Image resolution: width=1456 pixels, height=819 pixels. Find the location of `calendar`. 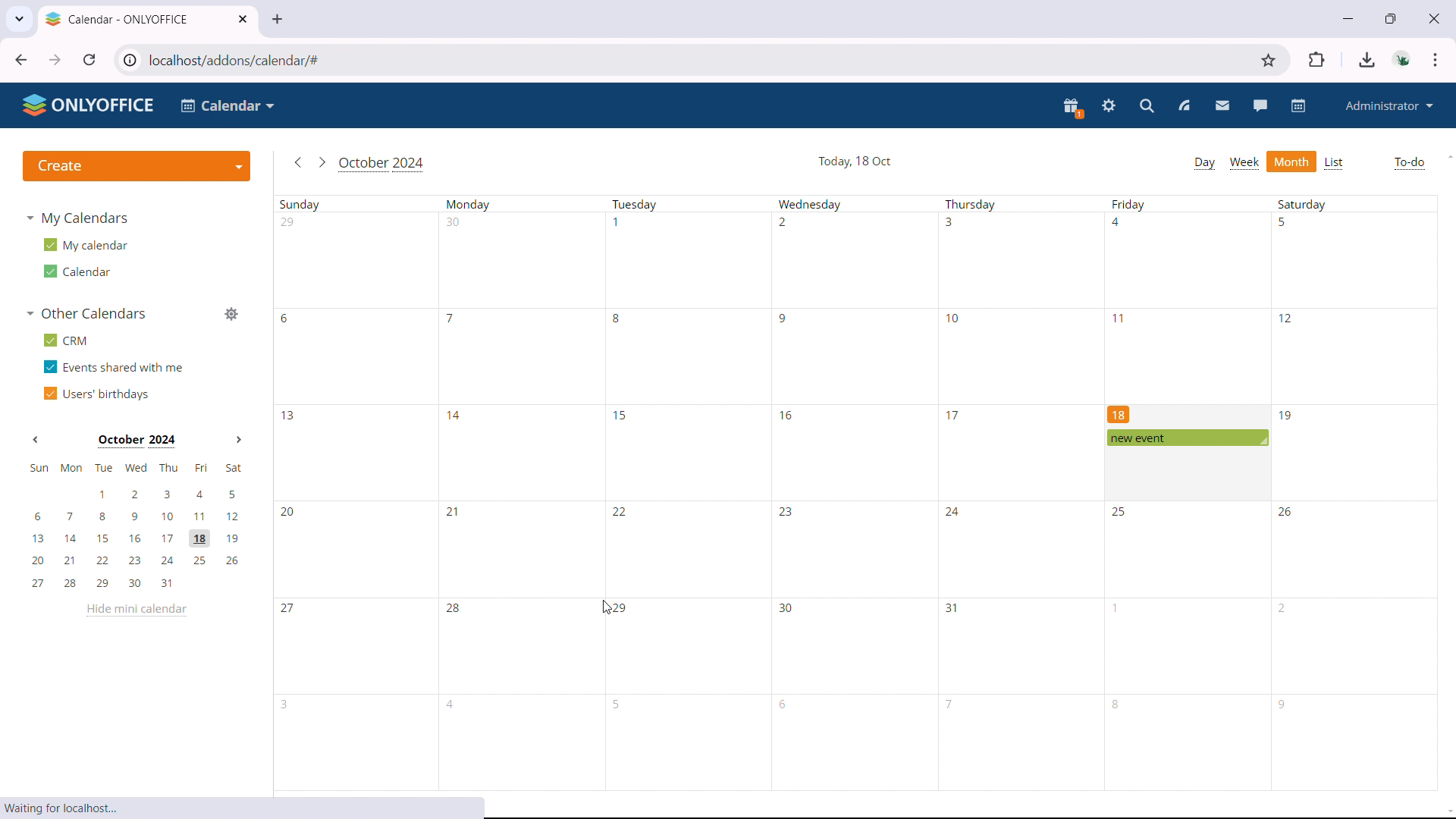

calendar is located at coordinates (1300, 105).